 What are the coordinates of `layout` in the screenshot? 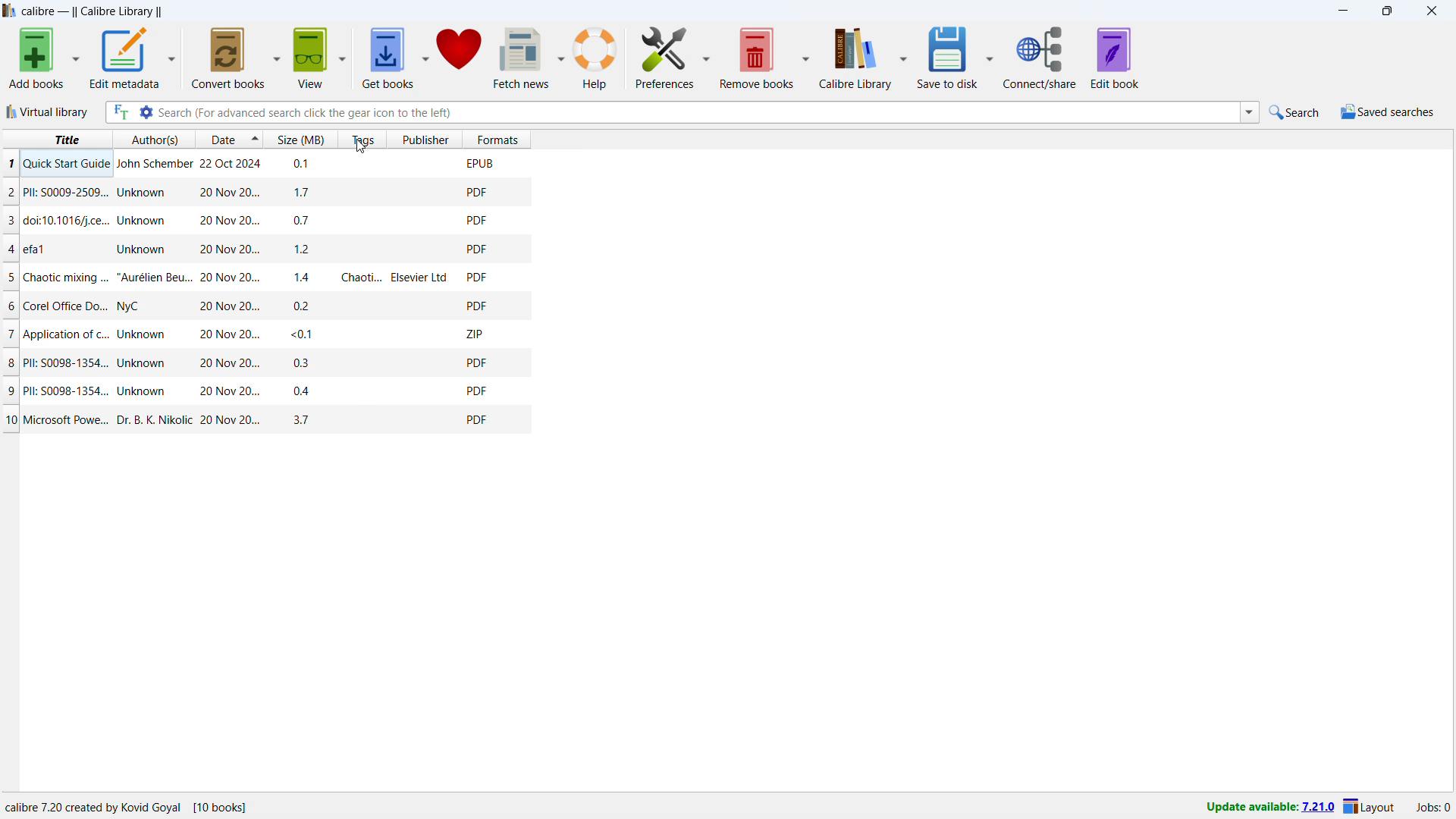 It's located at (1372, 807).